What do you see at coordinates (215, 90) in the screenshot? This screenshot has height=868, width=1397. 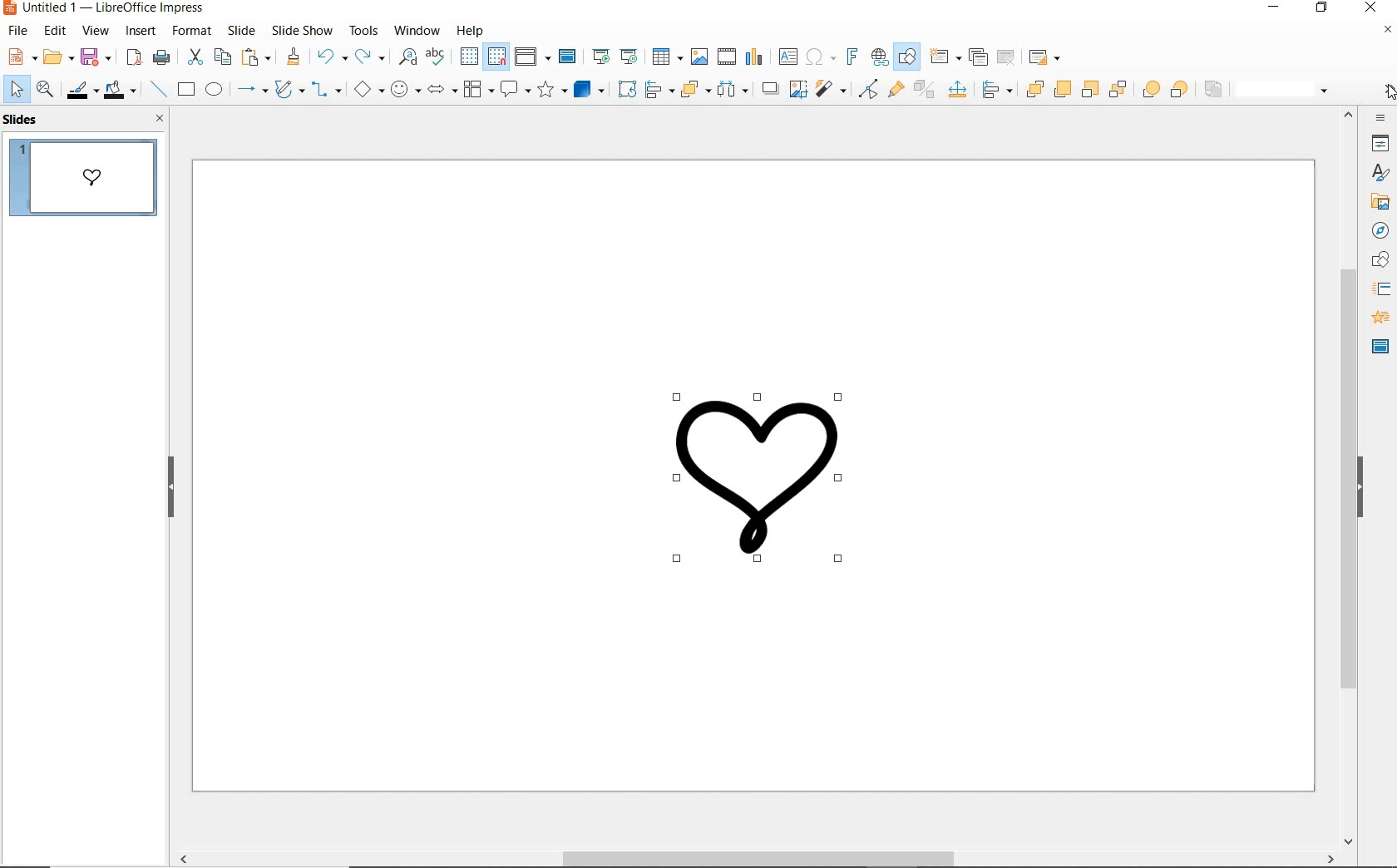 I see `ellipse` at bounding box center [215, 90].